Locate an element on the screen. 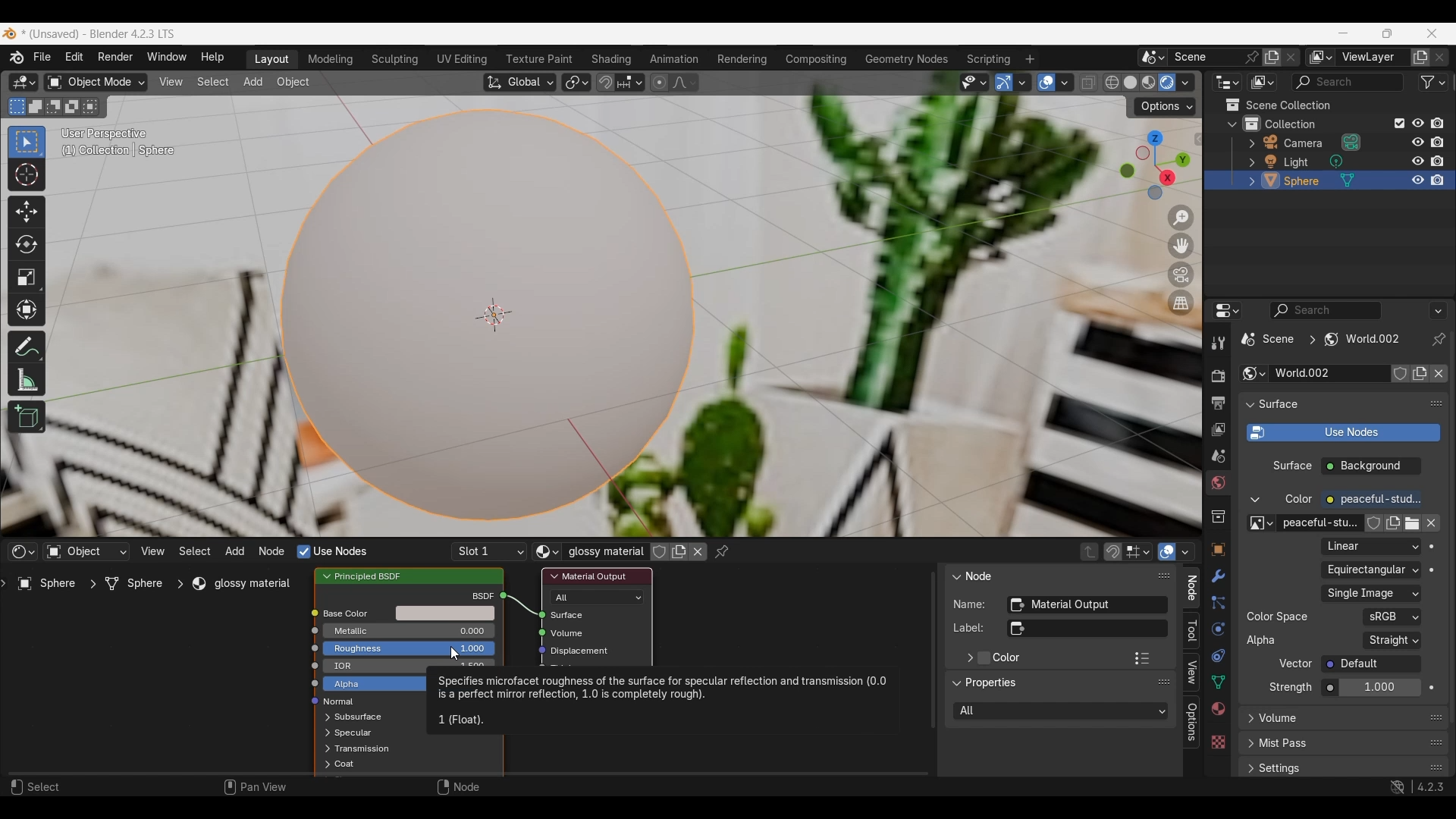 The height and width of the screenshot is (819, 1456). Move the view is located at coordinates (1181, 246).